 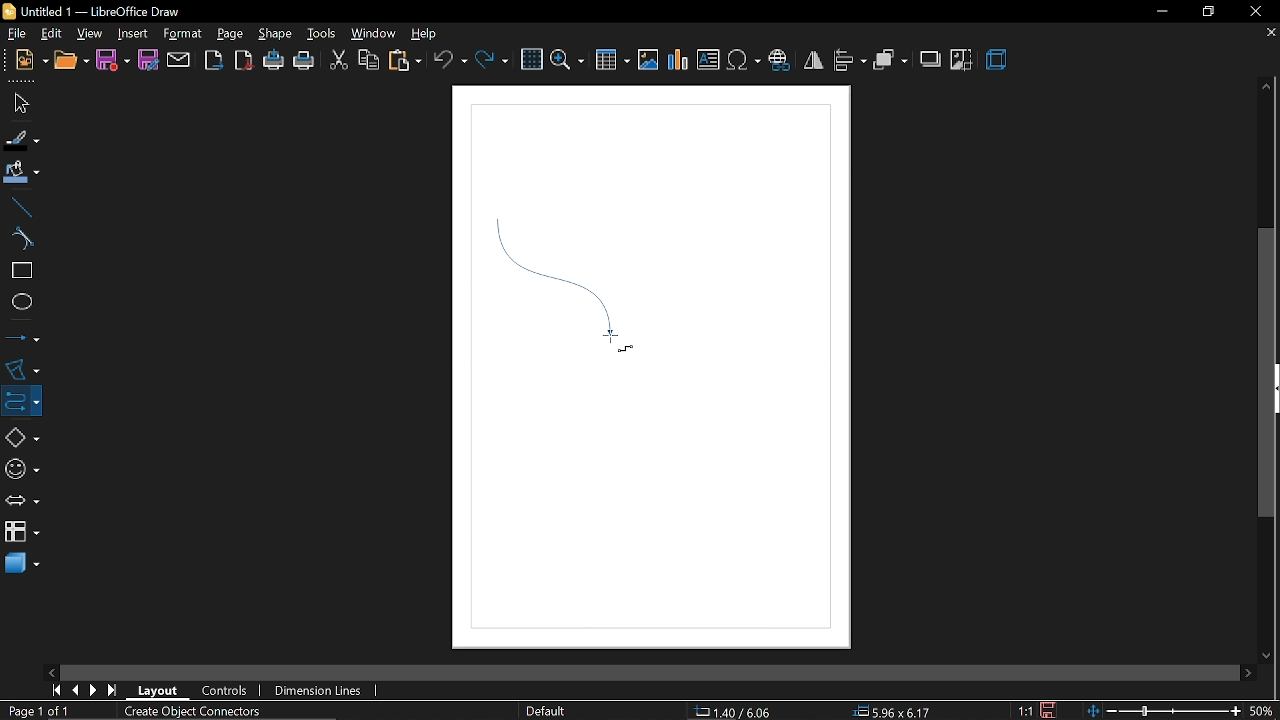 I want to click on previous page, so click(x=74, y=691).